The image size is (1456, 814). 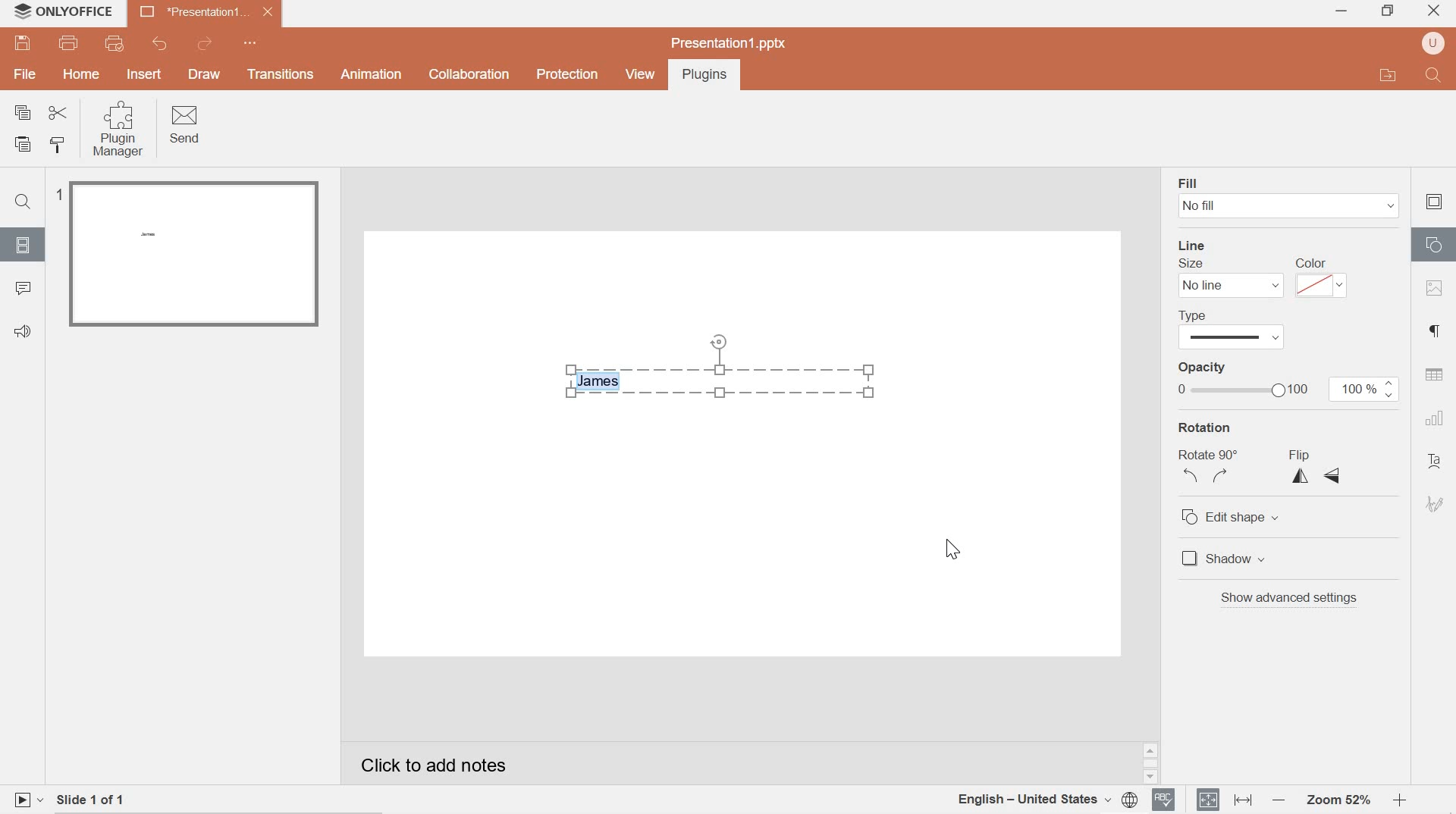 I want to click on show advanced settings, so click(x=1291, y=600).